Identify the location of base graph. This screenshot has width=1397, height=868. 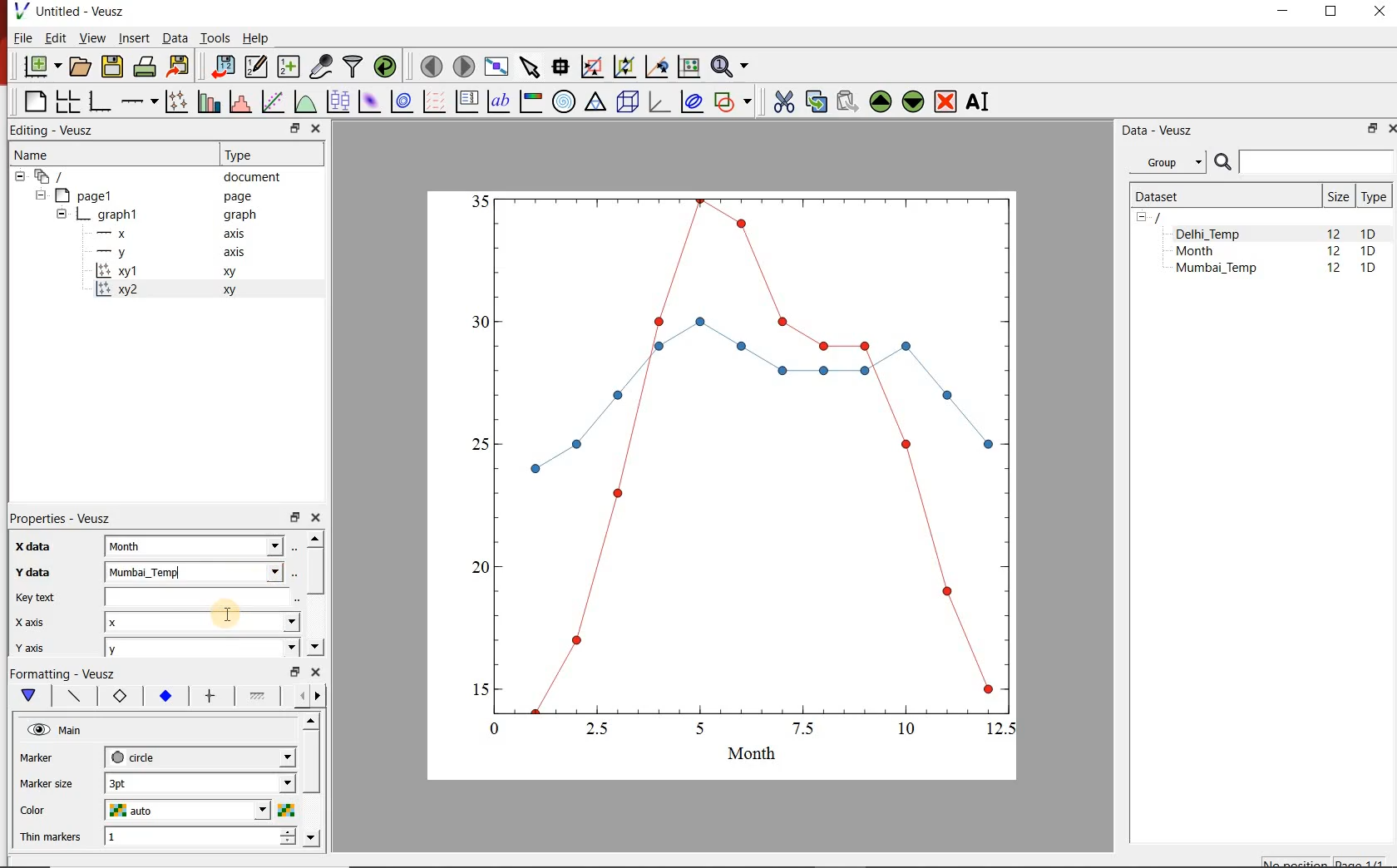
(98, 102).